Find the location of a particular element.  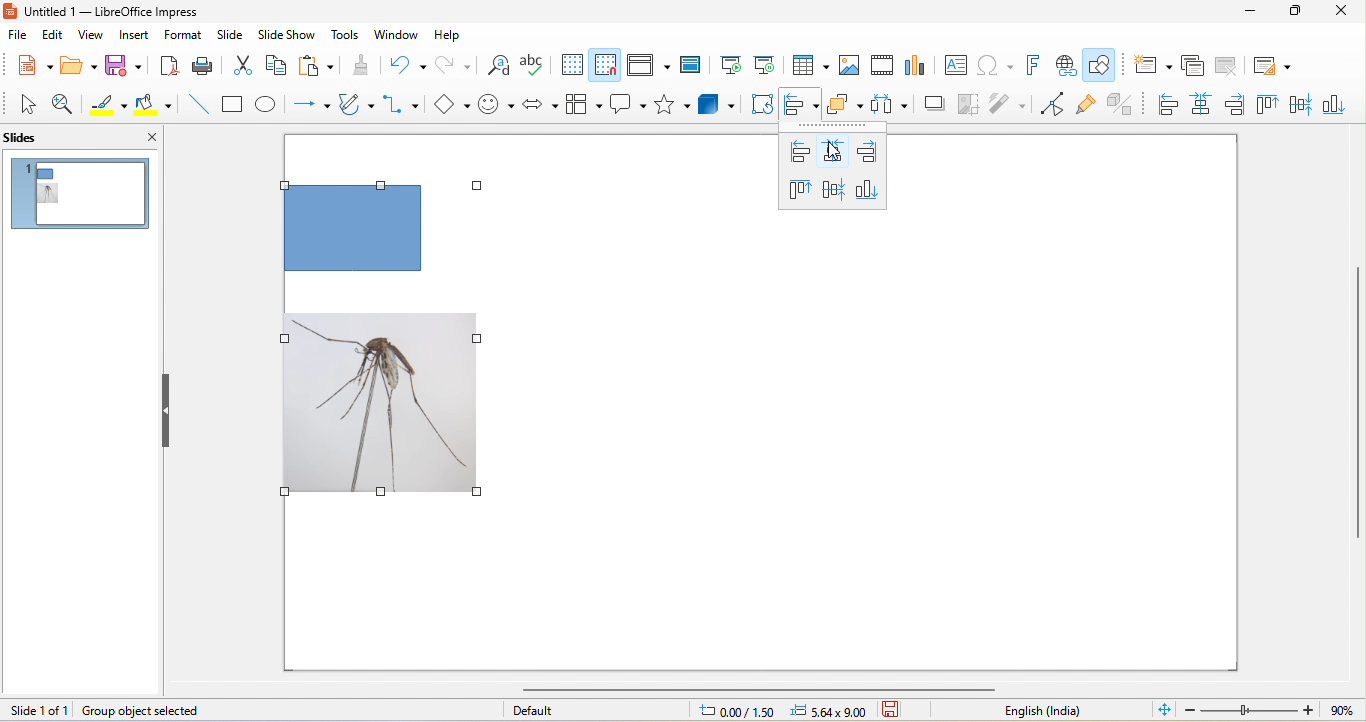

start from current slide is located at coordinates (769, 67).